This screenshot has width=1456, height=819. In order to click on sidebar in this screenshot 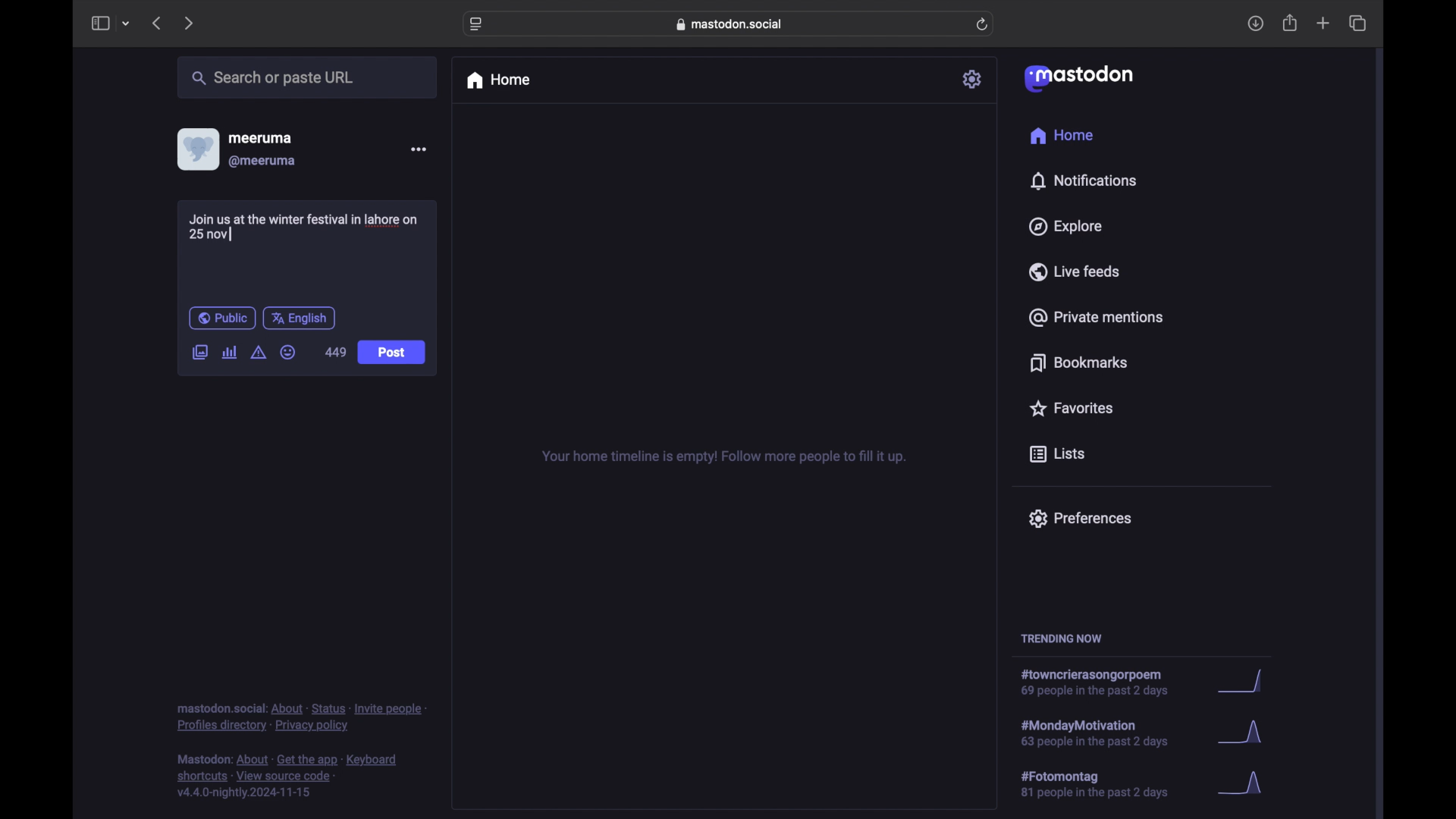, I will do `click(99, 23)`.